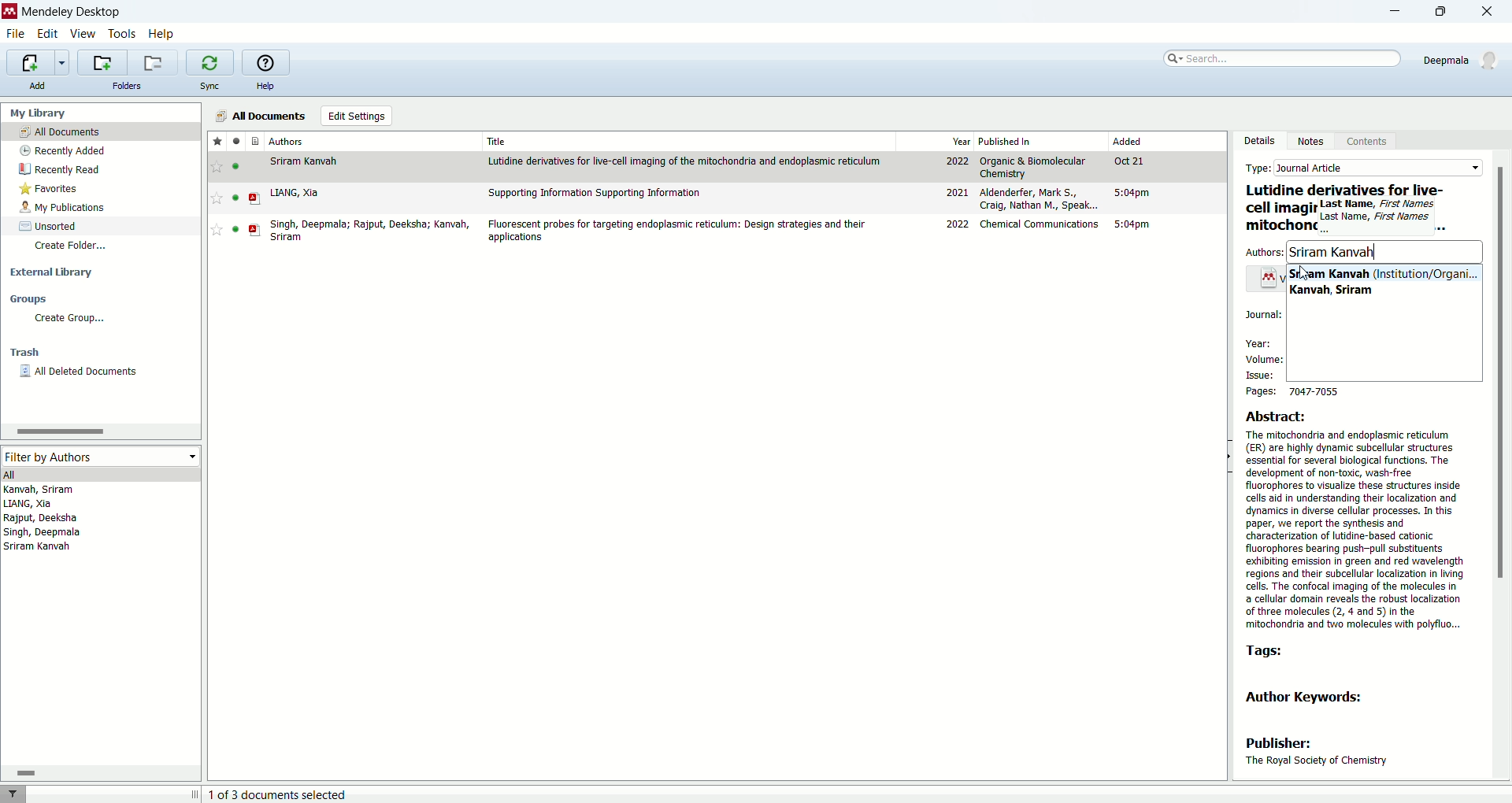  I want to click on Icon, so click(1268, 277).